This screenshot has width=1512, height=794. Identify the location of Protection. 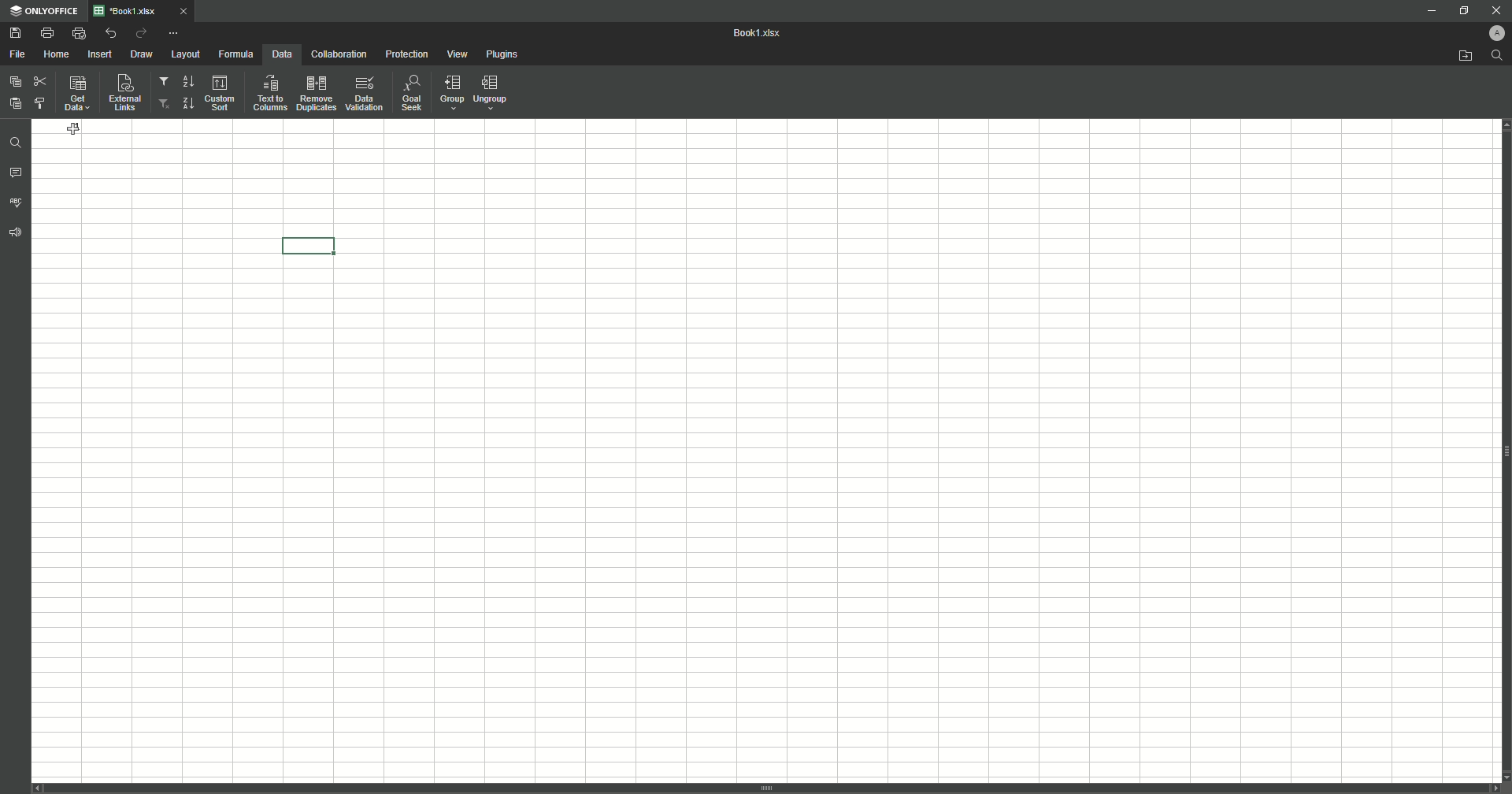
(406, 55).